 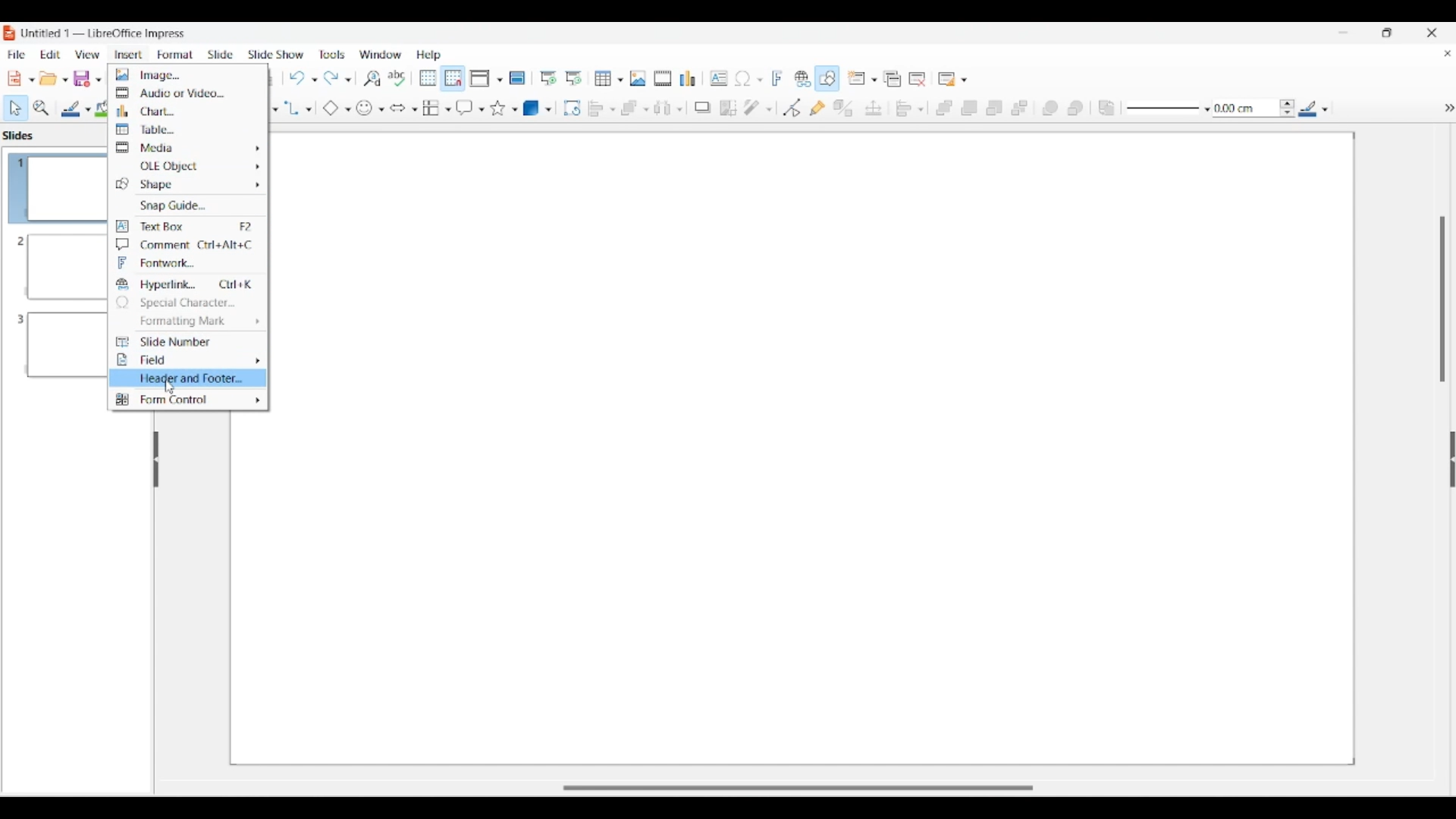 I want to click on Display grid, so click(x=428, y=78).